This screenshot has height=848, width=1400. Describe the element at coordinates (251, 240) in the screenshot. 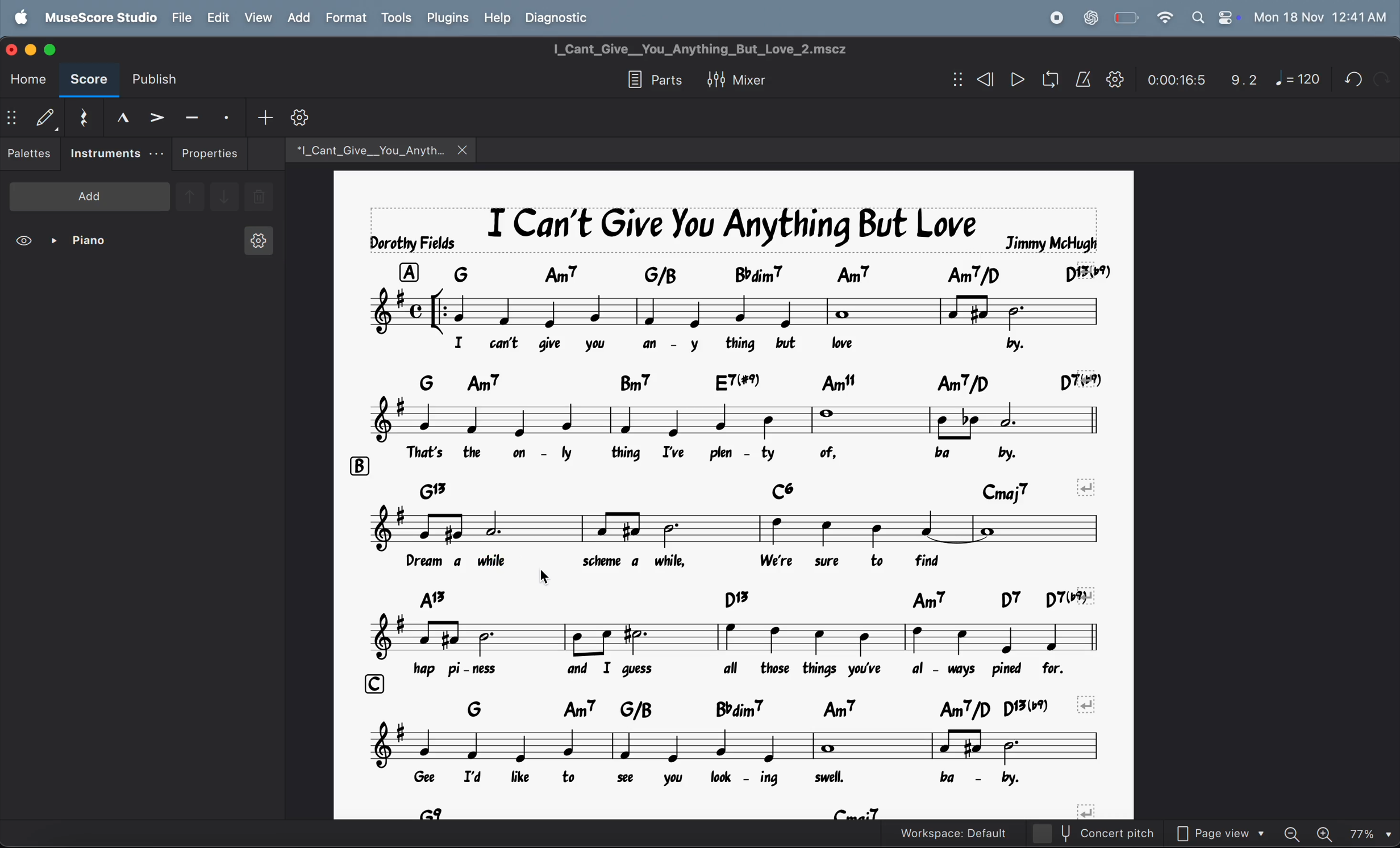

I see `instrument settings` at that location.